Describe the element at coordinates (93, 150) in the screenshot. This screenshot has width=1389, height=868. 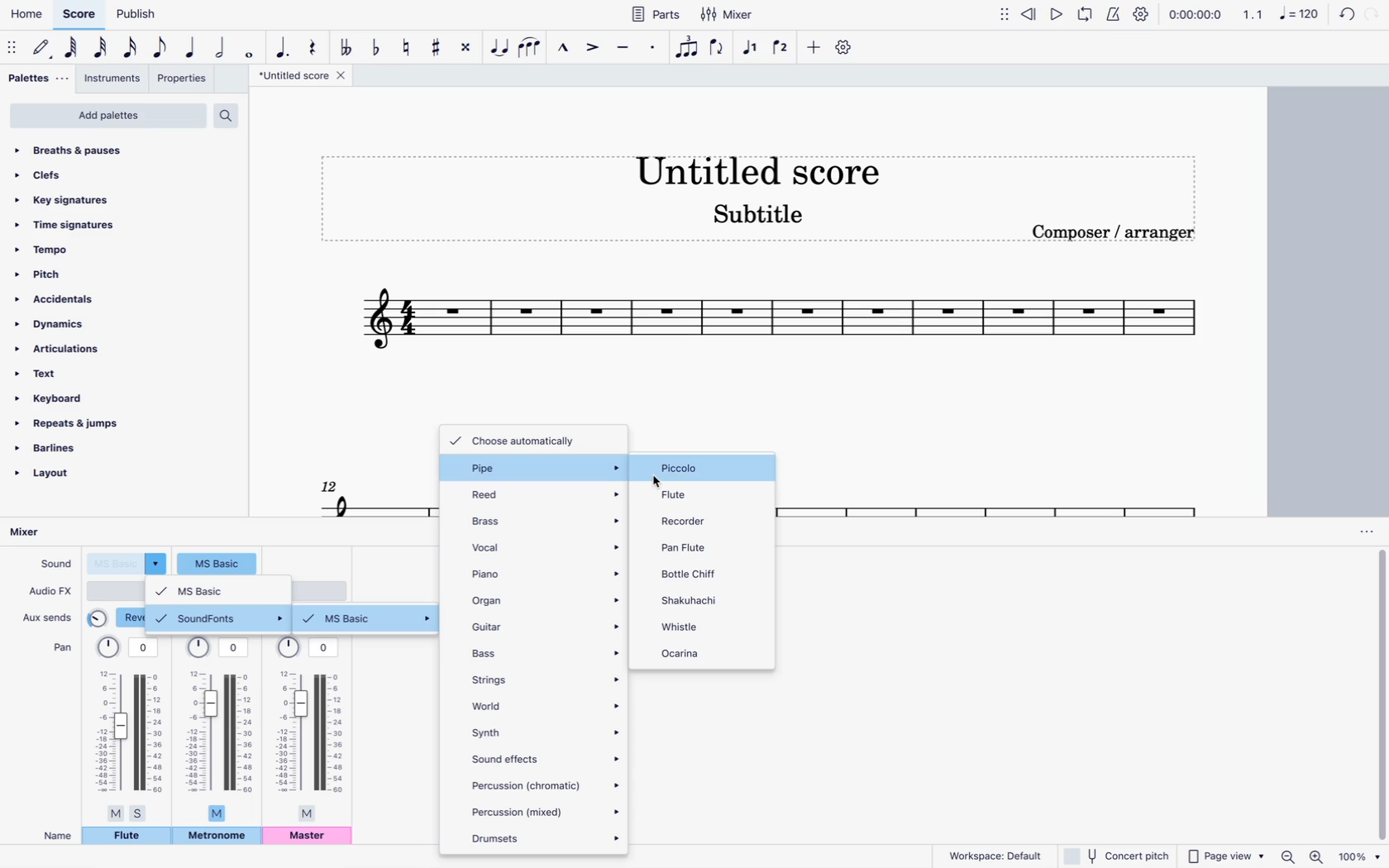
I see `breaths & pauses` at that location.